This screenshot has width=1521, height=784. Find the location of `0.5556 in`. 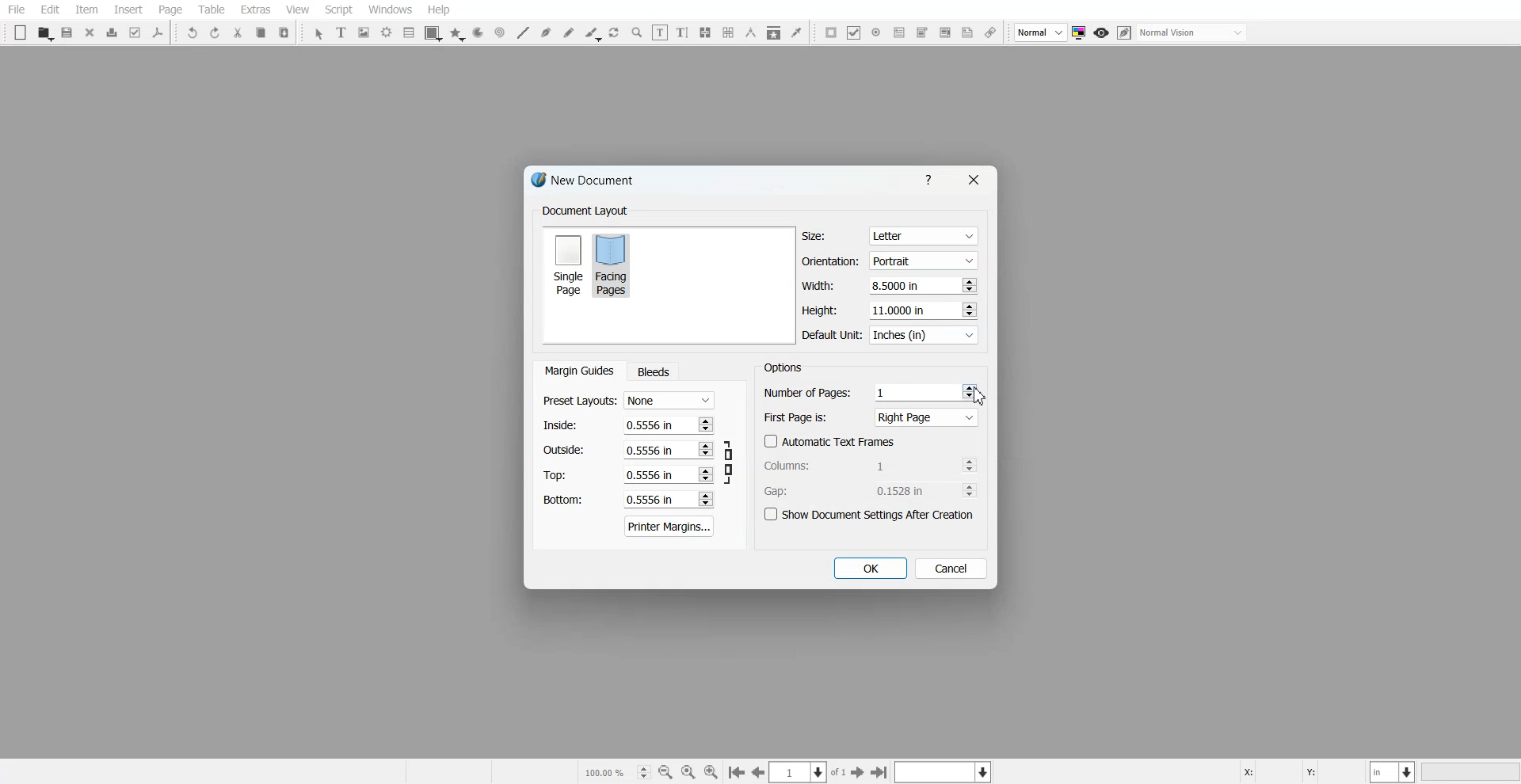

0.5556 in is located at coordinates (650, 500).